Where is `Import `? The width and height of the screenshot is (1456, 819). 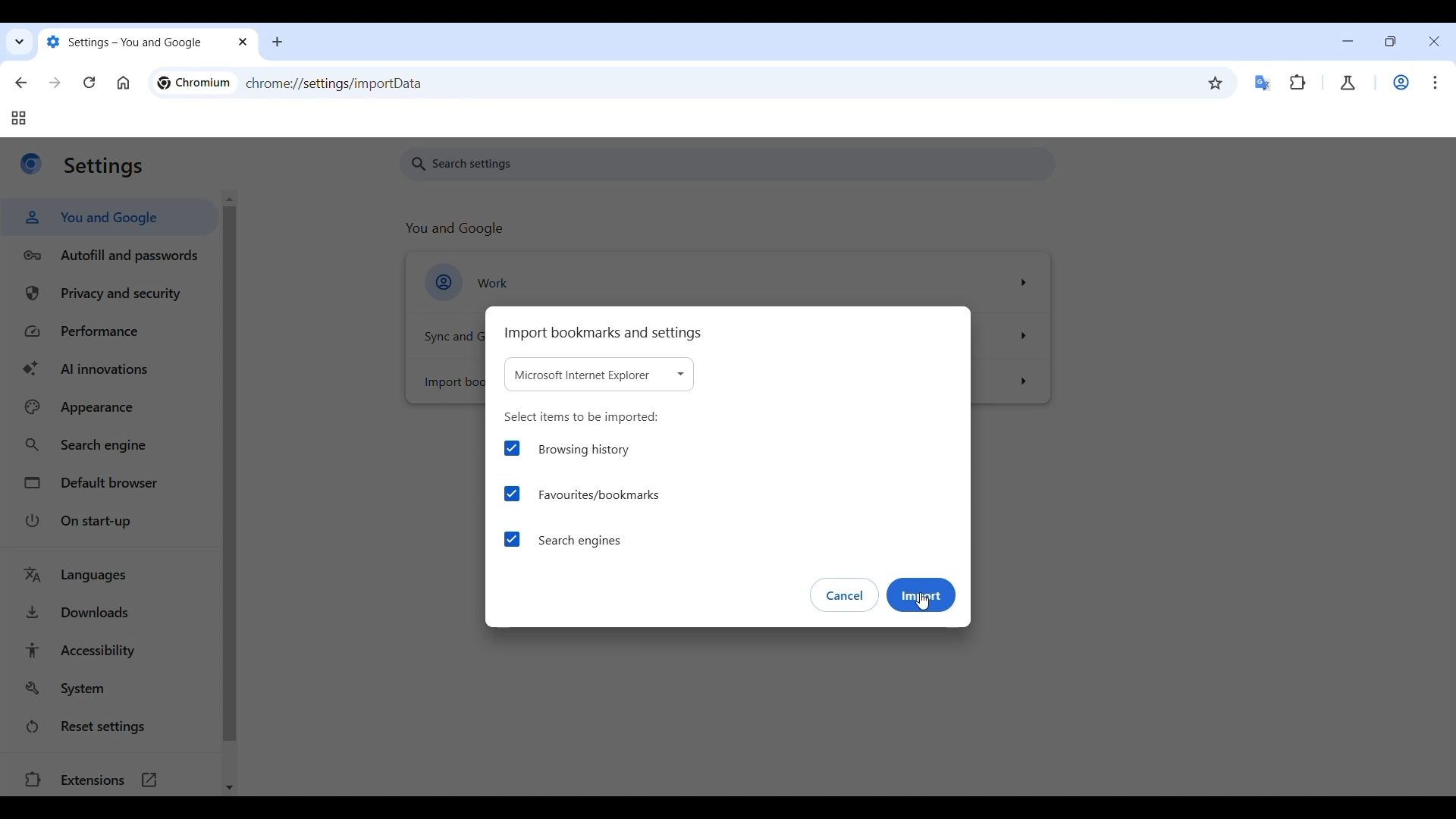
Import  is located at coordinates (922, 595).